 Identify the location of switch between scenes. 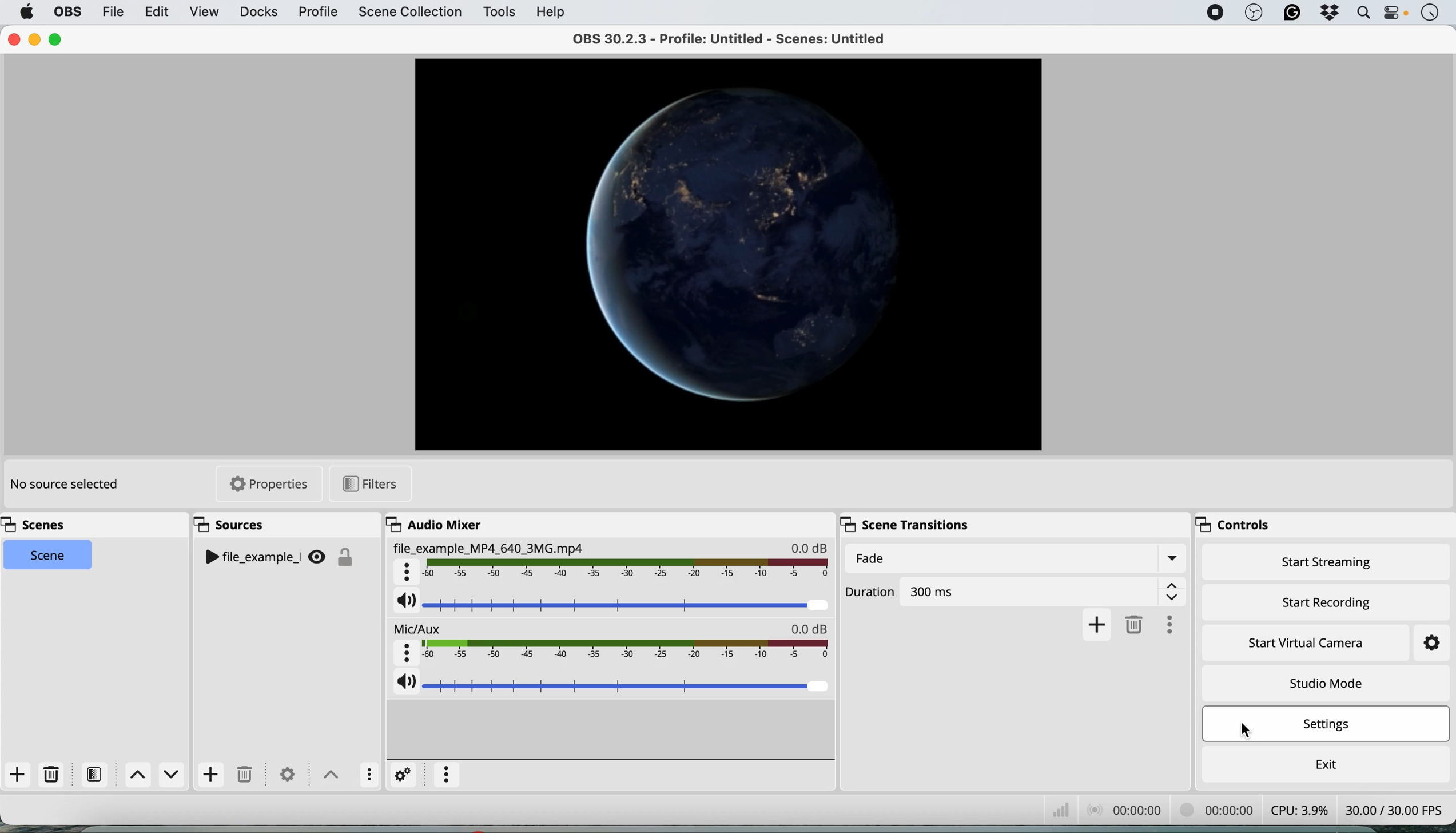
(156, 775).